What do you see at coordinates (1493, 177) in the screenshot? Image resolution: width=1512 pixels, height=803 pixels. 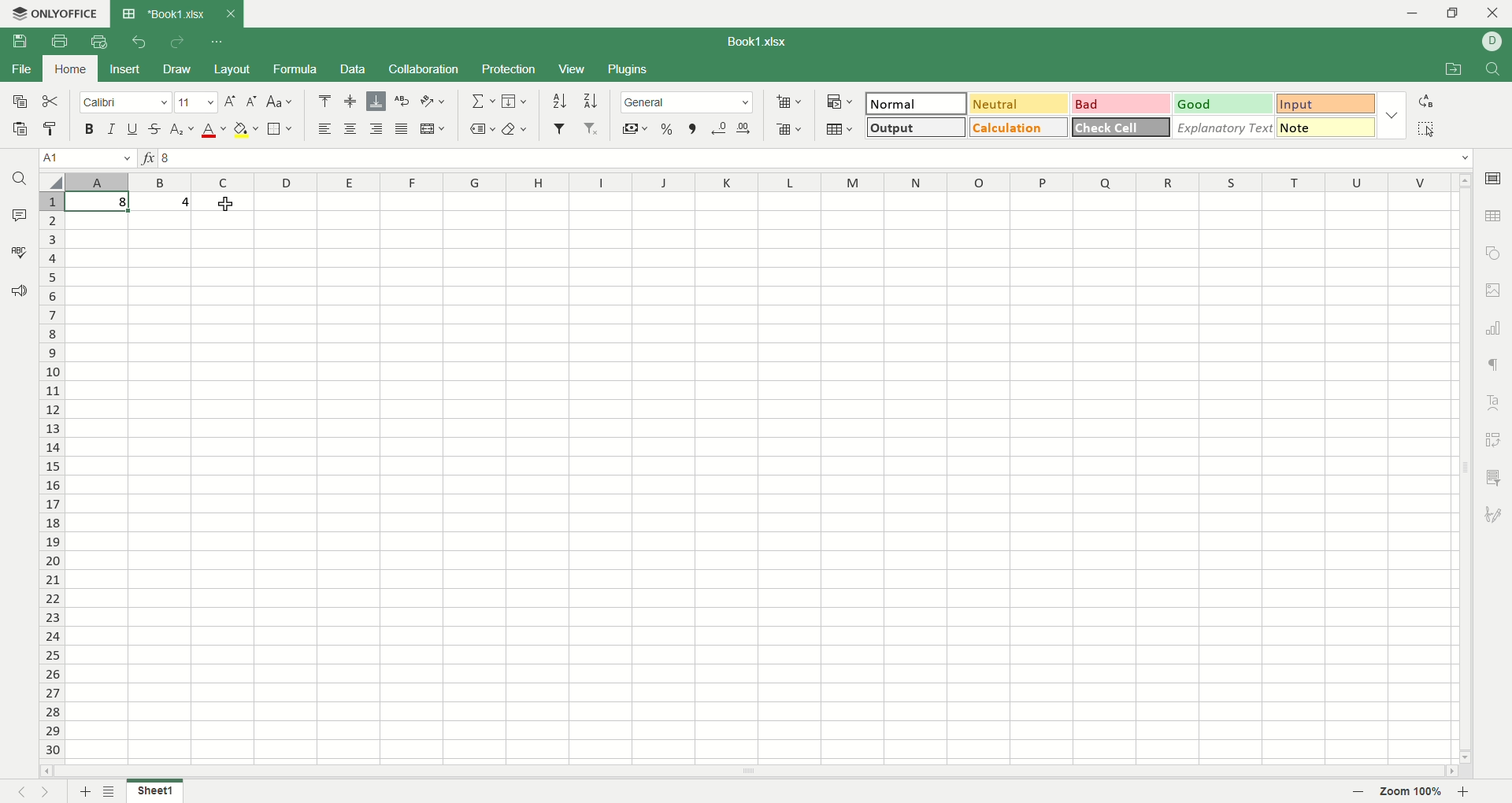 I see `cell settings` at bounding box center [1493, 177].